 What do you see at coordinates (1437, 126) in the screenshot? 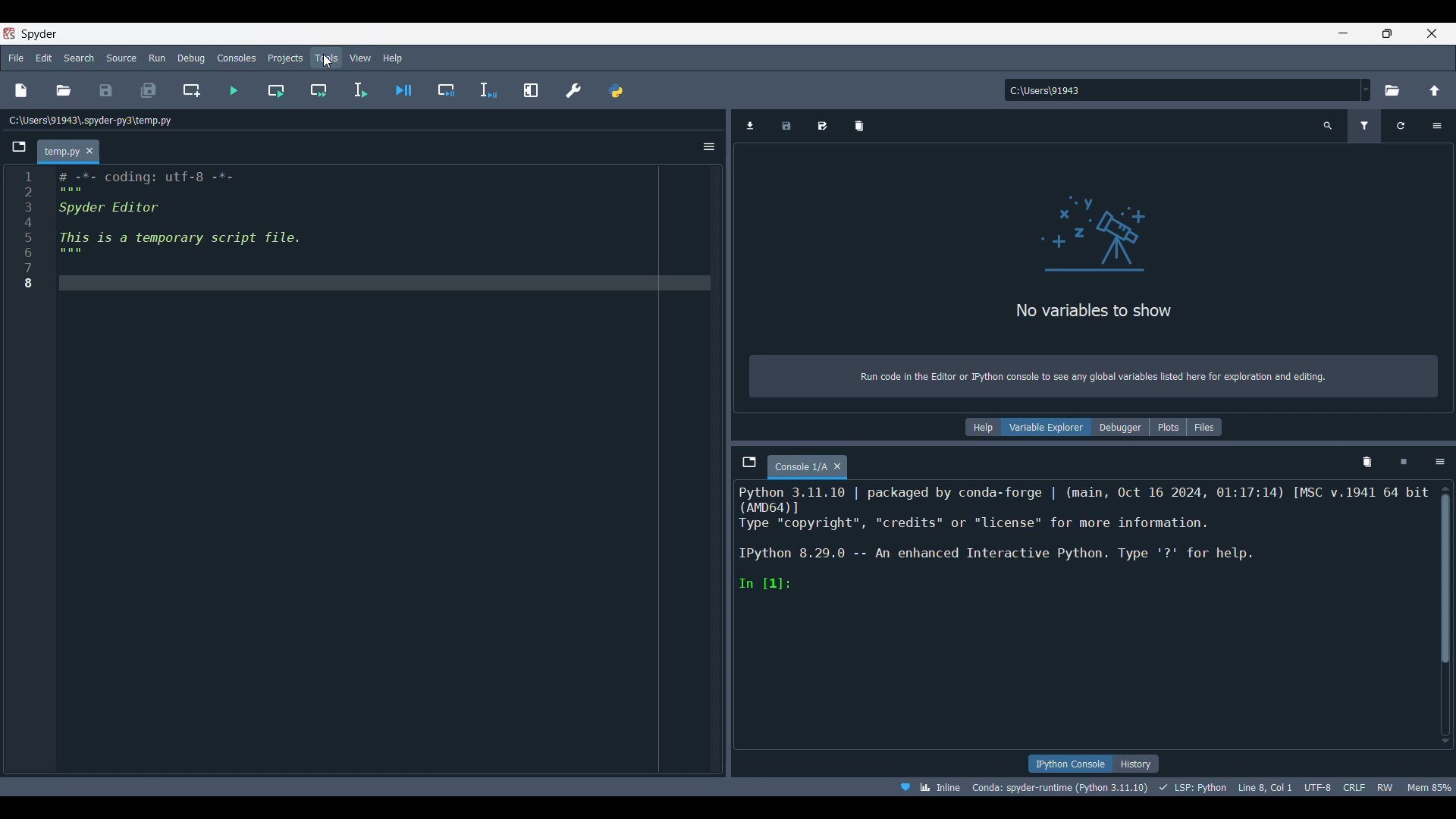
I see `Options` at bounding box center [1437, 126].